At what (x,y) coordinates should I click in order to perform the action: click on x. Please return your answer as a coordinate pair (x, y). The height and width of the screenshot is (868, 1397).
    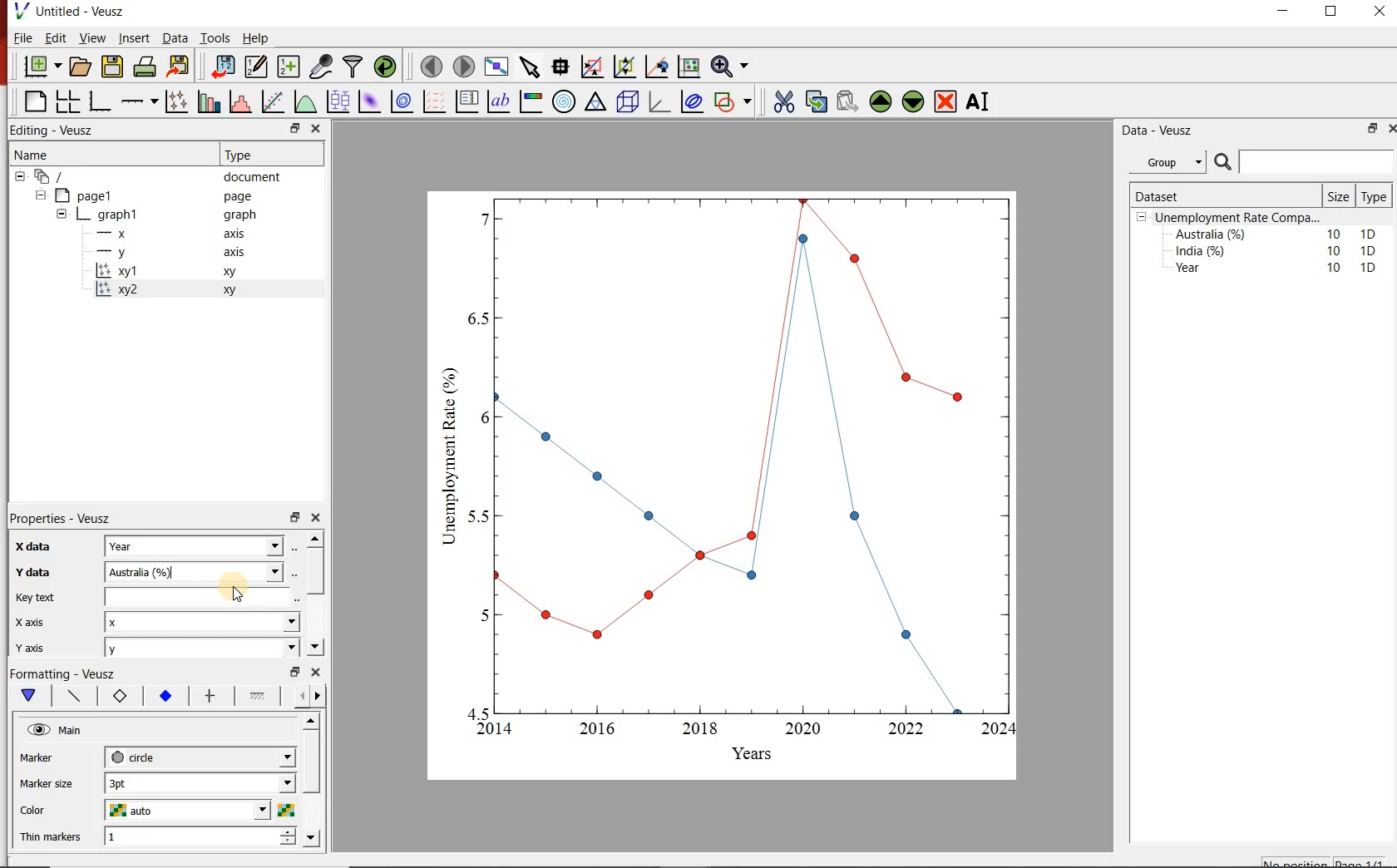
    Looking at the image, I should click on (200, 622).